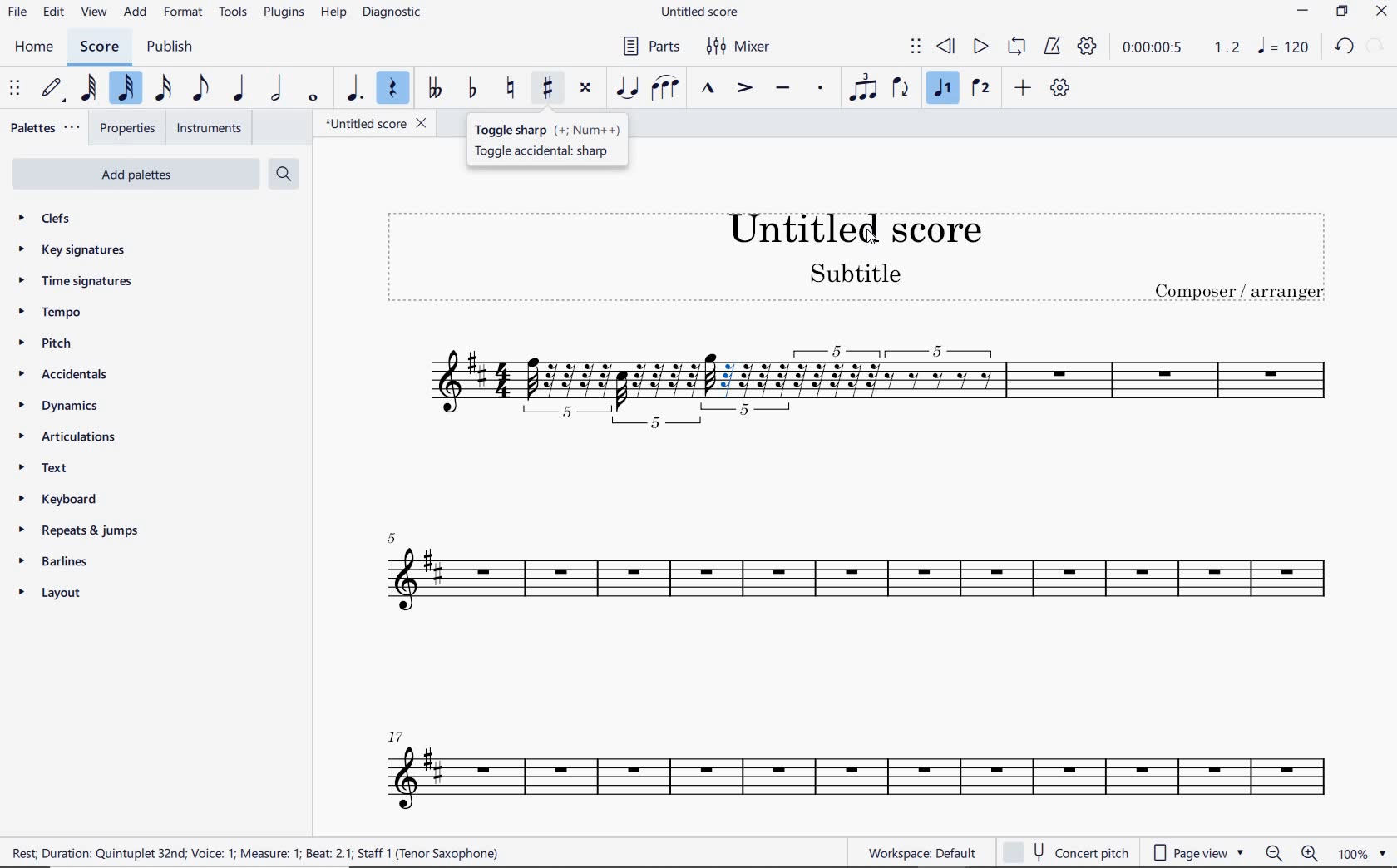 The height and width of the screenshot is (868, 1397). What do you see at coordinates (79, 250) in the screenshot?
I see `KEY SIGNATURES` at bounding box center [79, 250].